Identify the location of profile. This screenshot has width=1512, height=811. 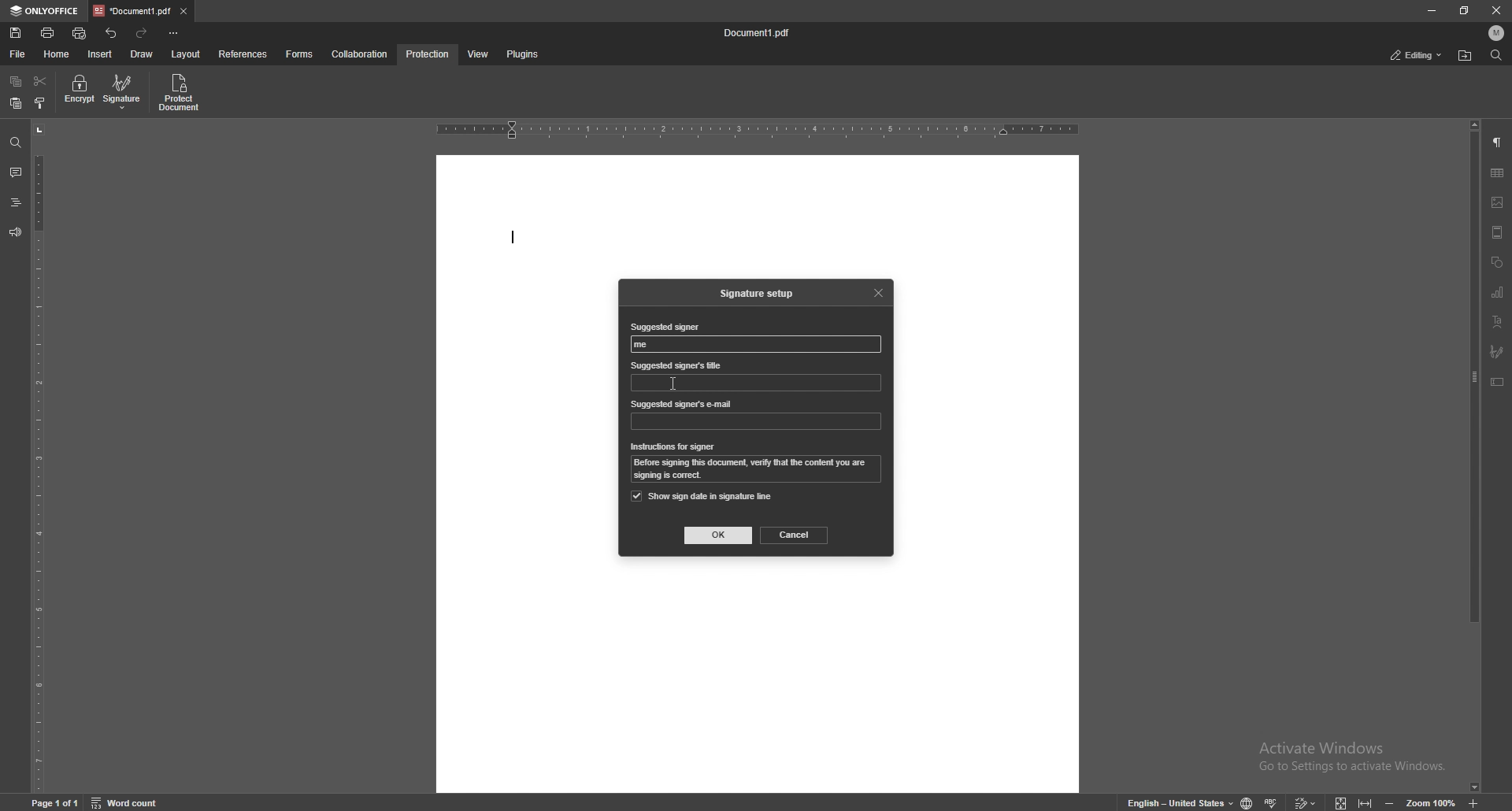
(1497, 33).